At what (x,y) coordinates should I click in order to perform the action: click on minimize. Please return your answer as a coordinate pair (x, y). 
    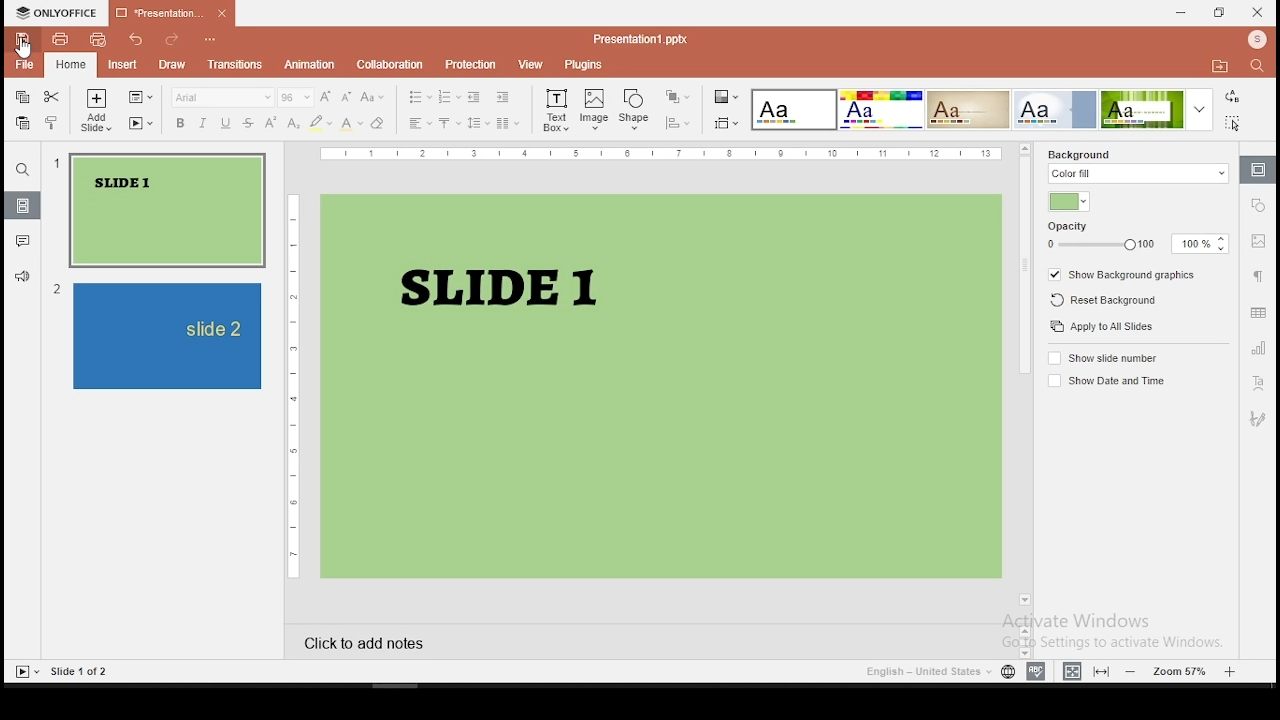
    Looking at the image, I should click on (1178, 12).